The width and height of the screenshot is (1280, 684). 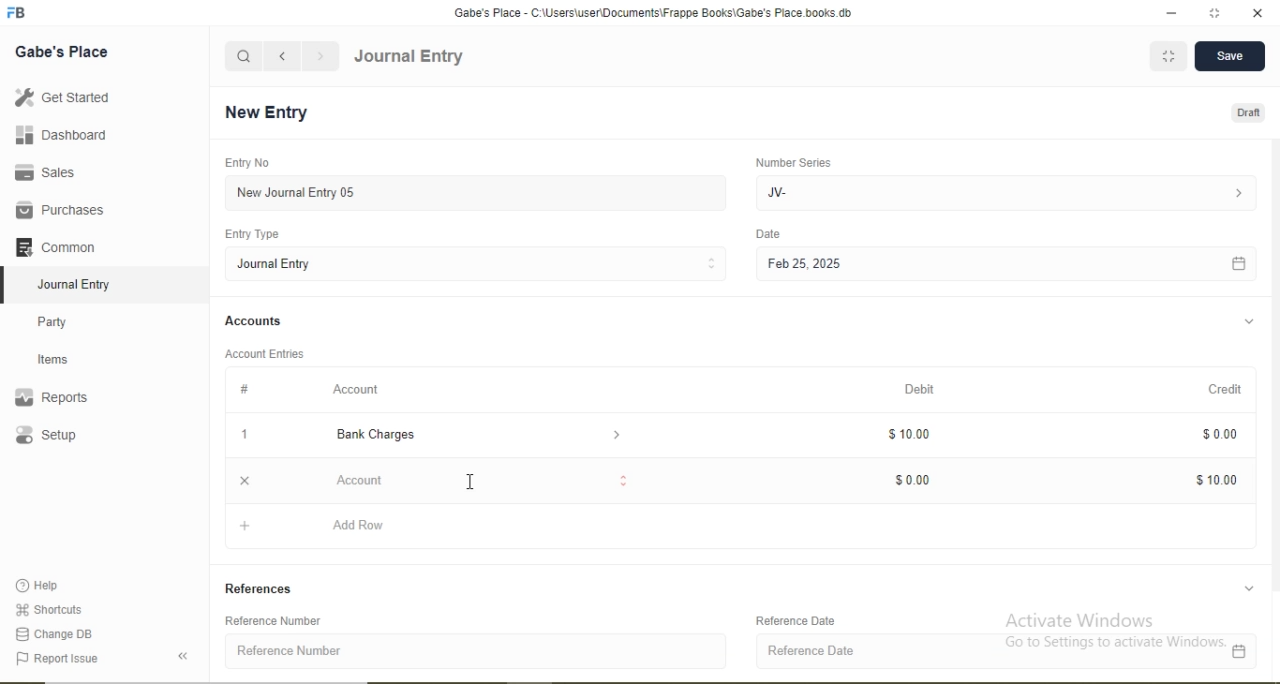 What do you see at coordinates (792, 162) in the screenshot?
I see `Number Series` at bounding box center [792, 162].